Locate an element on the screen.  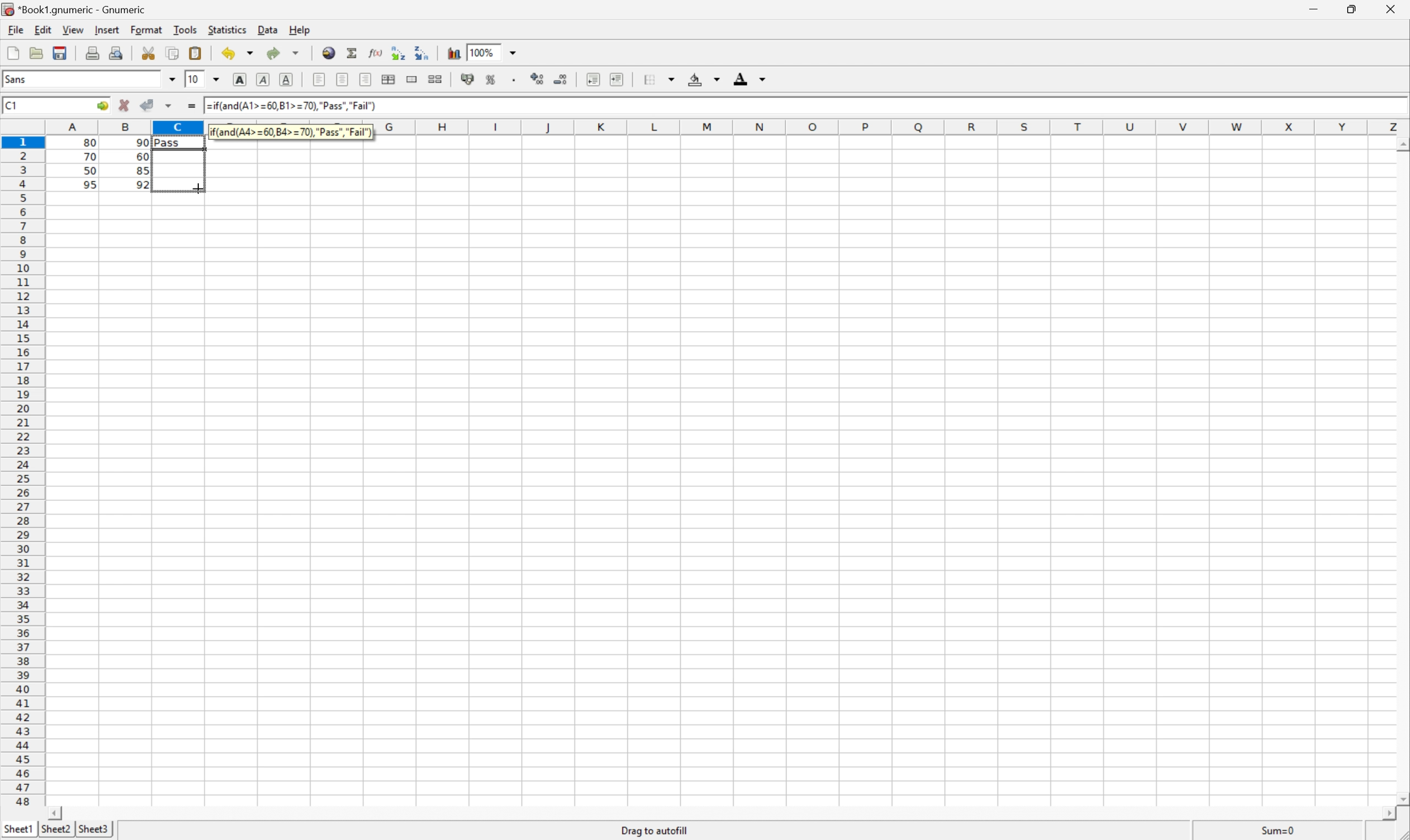
Underline is located at coordinates (288, 79).